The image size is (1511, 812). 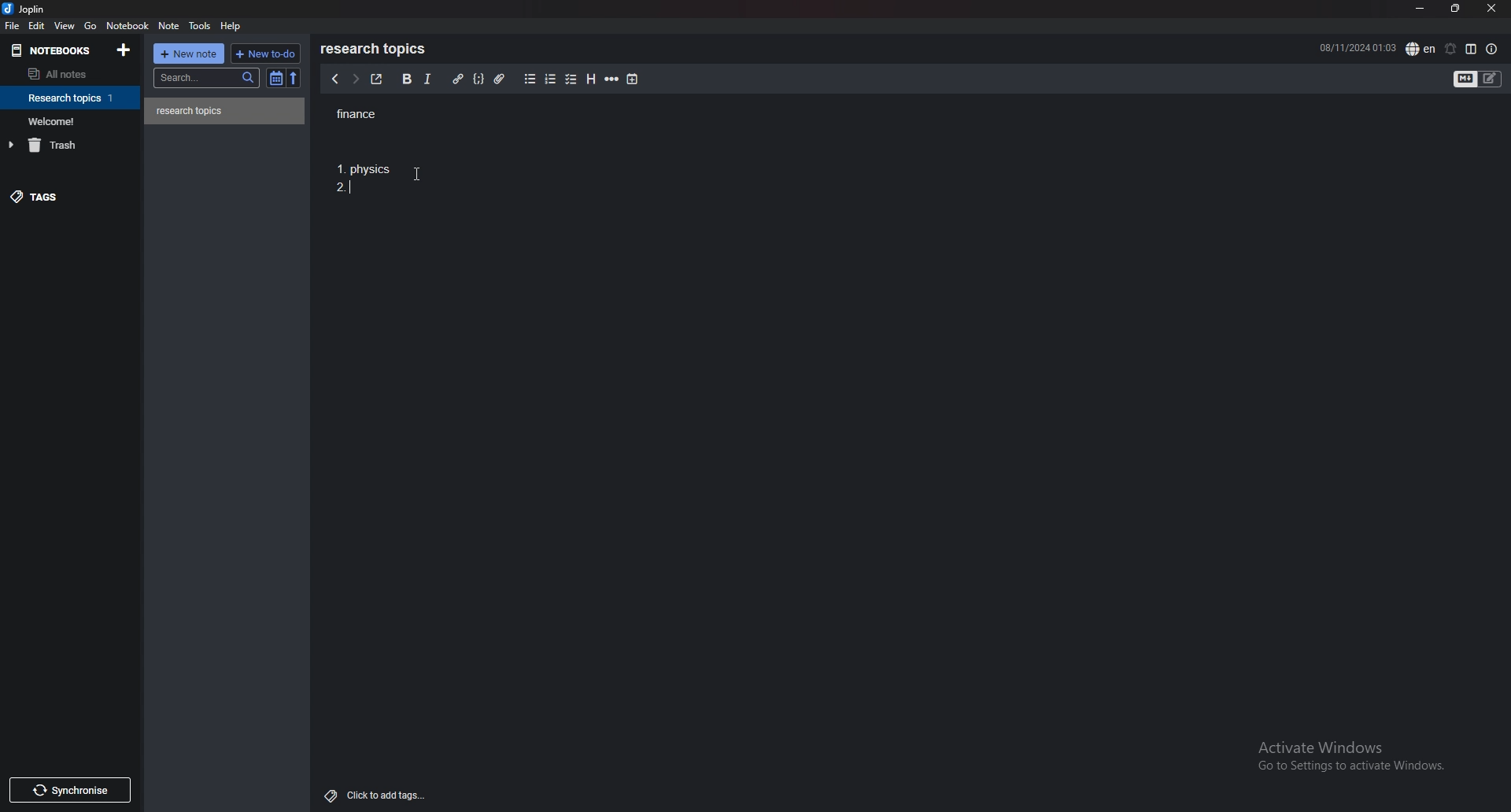 I want to click on go, so click(x=90, y=26).